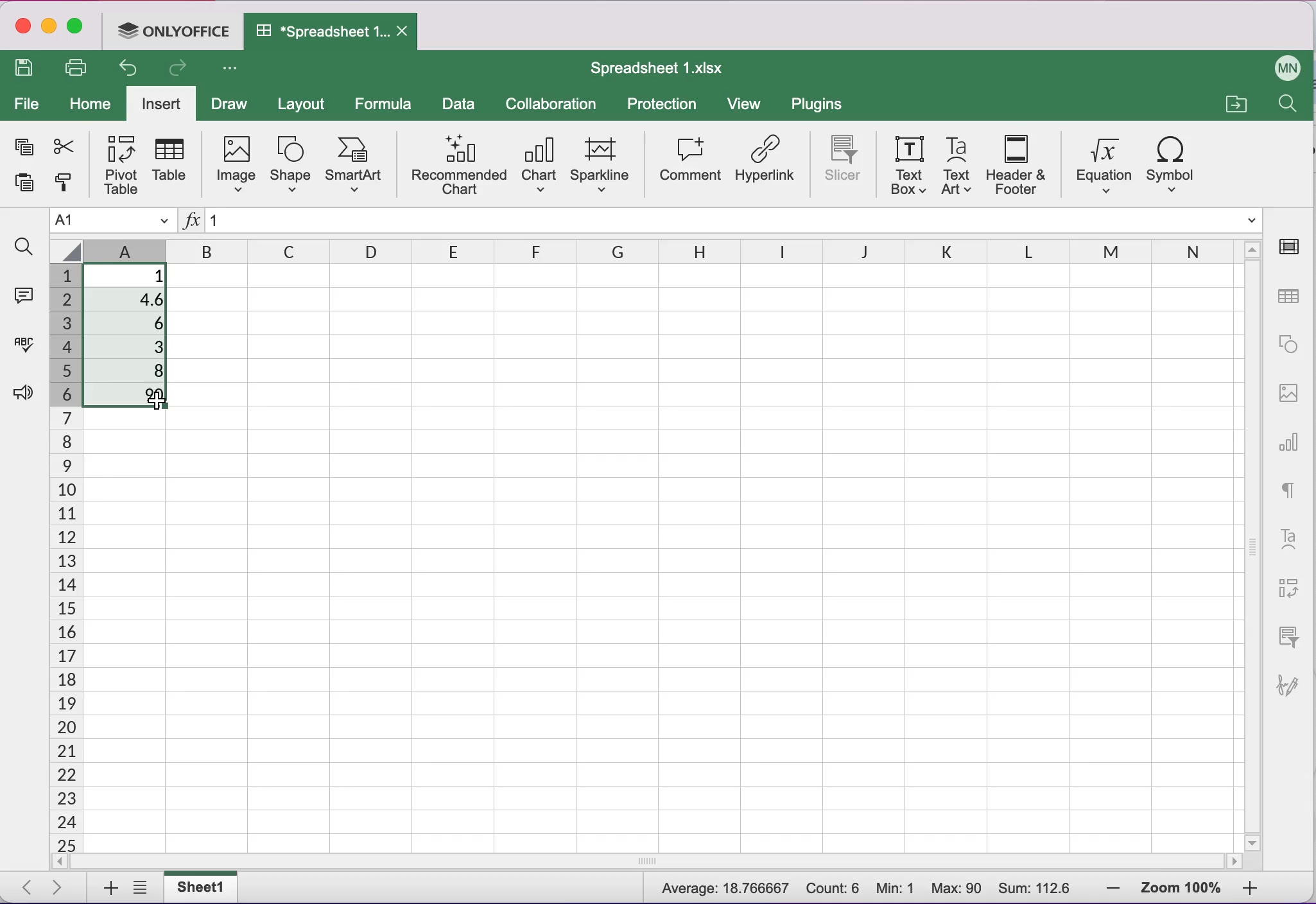 Image resolution: width=1316 pixels, height=904 pixels. What do you see at coordinates (661, 105) in the screenshot?
I see `protection` at bounding box center [661, 105].